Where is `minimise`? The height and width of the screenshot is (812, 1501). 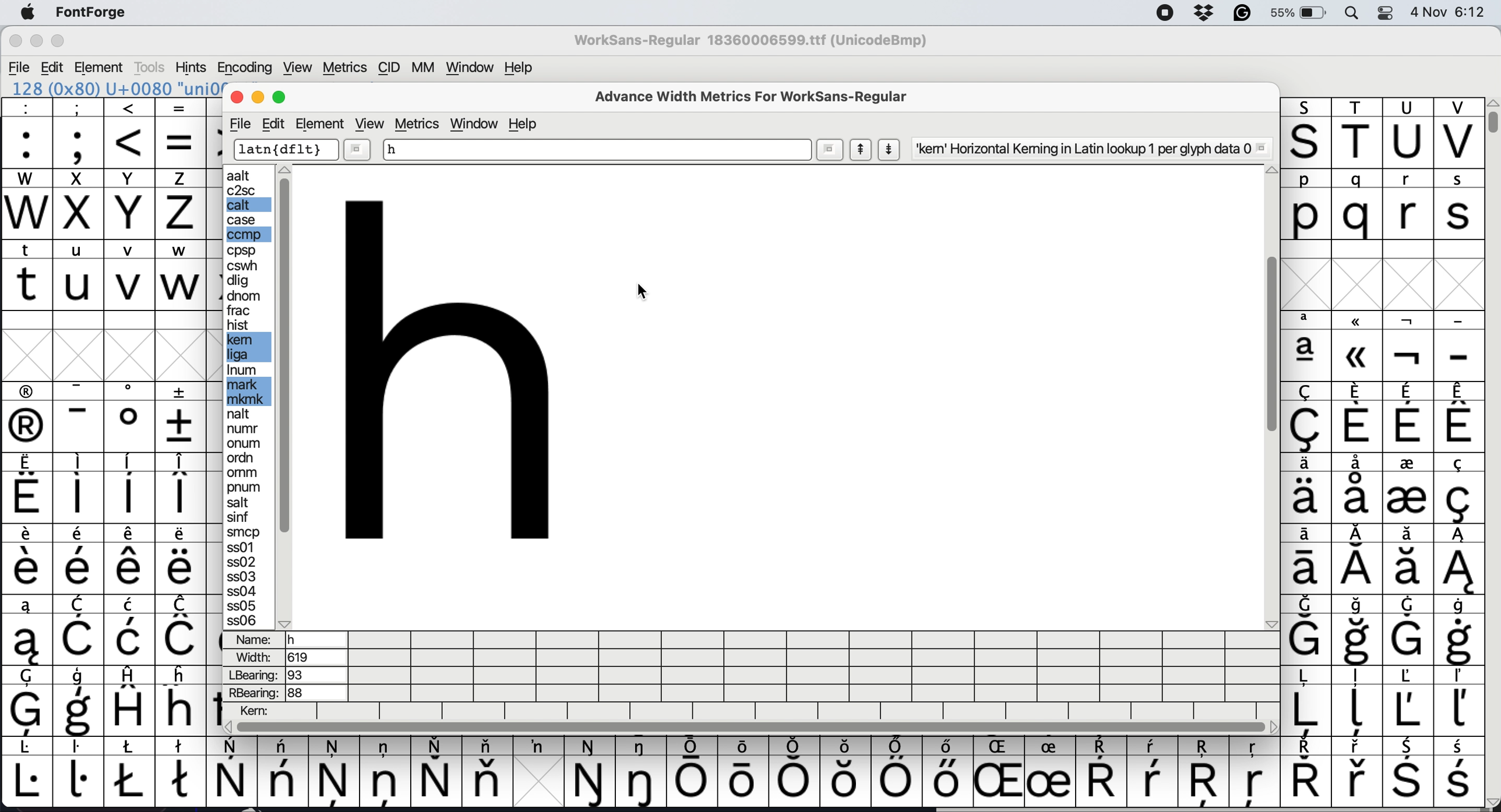
minimise is located at coordinates (256, 97).